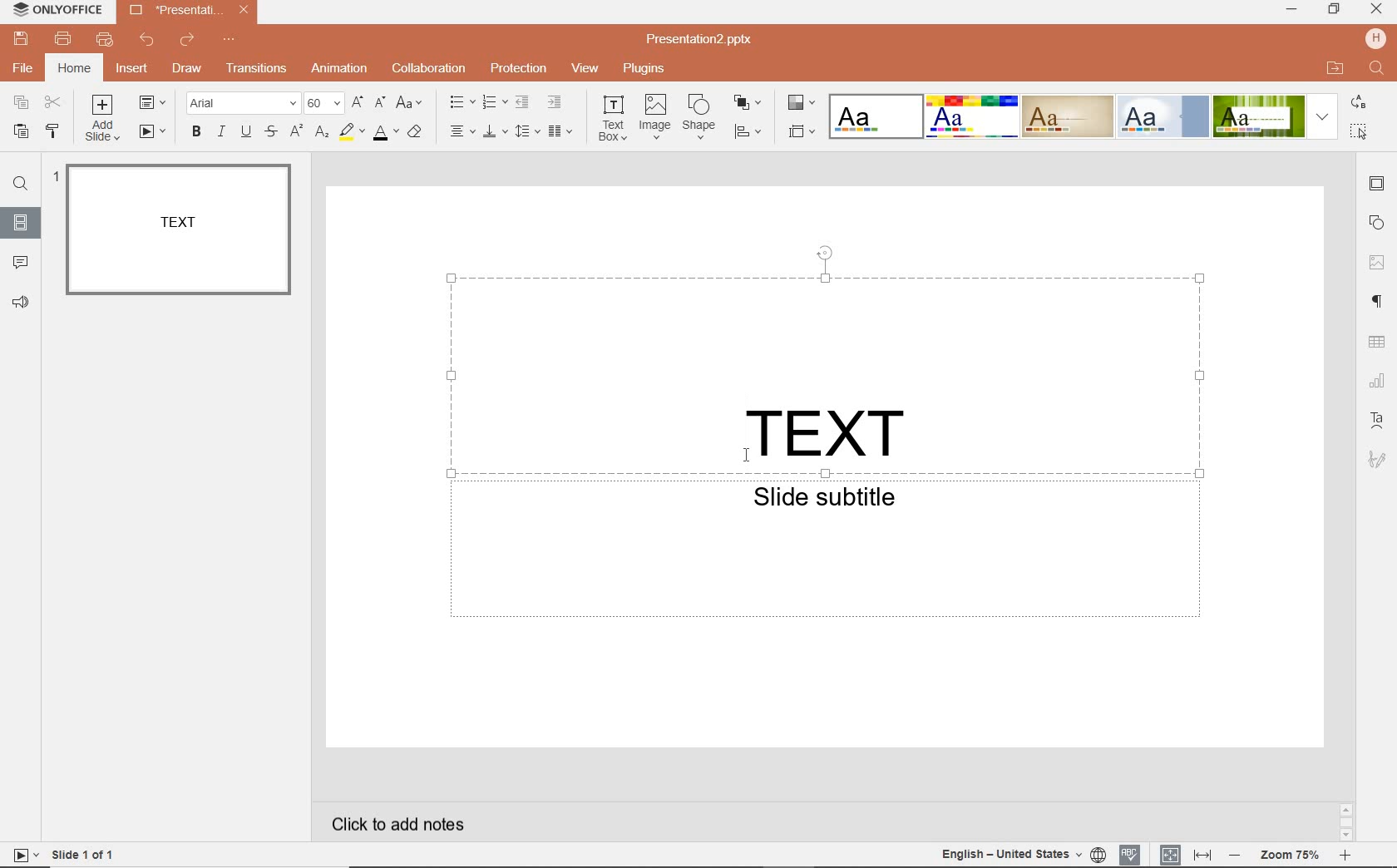 This screenshot has width=1397, height=868. What do you see at coordinates (178, 230) in the screenshot?
I see `SLIDE1` at bounding box center [178, 230].